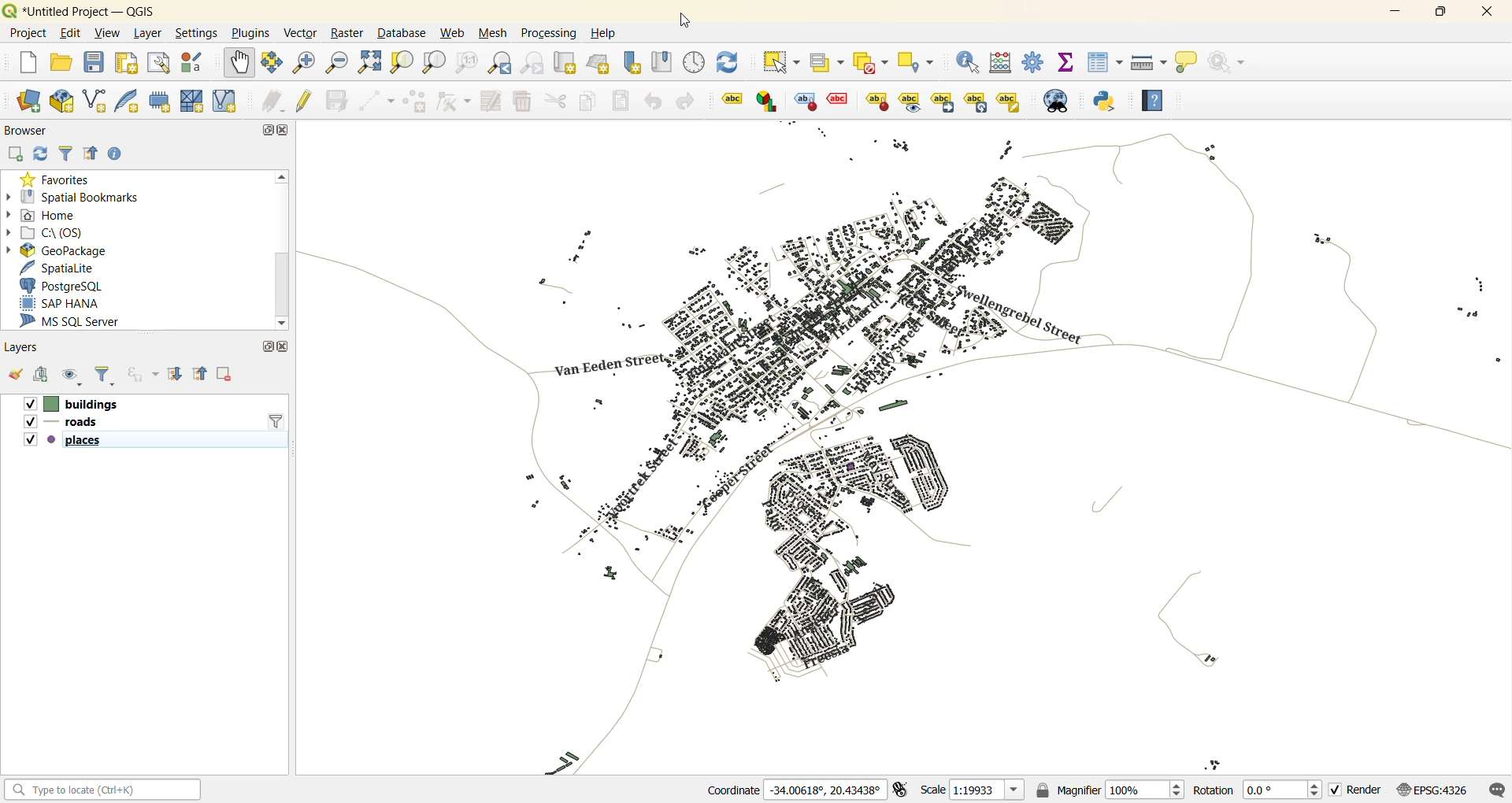 The image size is (1512, 803). What do you see at coordinates (61, 99) in the screenshot?
I see `new geopackage` at bounding box center [61, 99].